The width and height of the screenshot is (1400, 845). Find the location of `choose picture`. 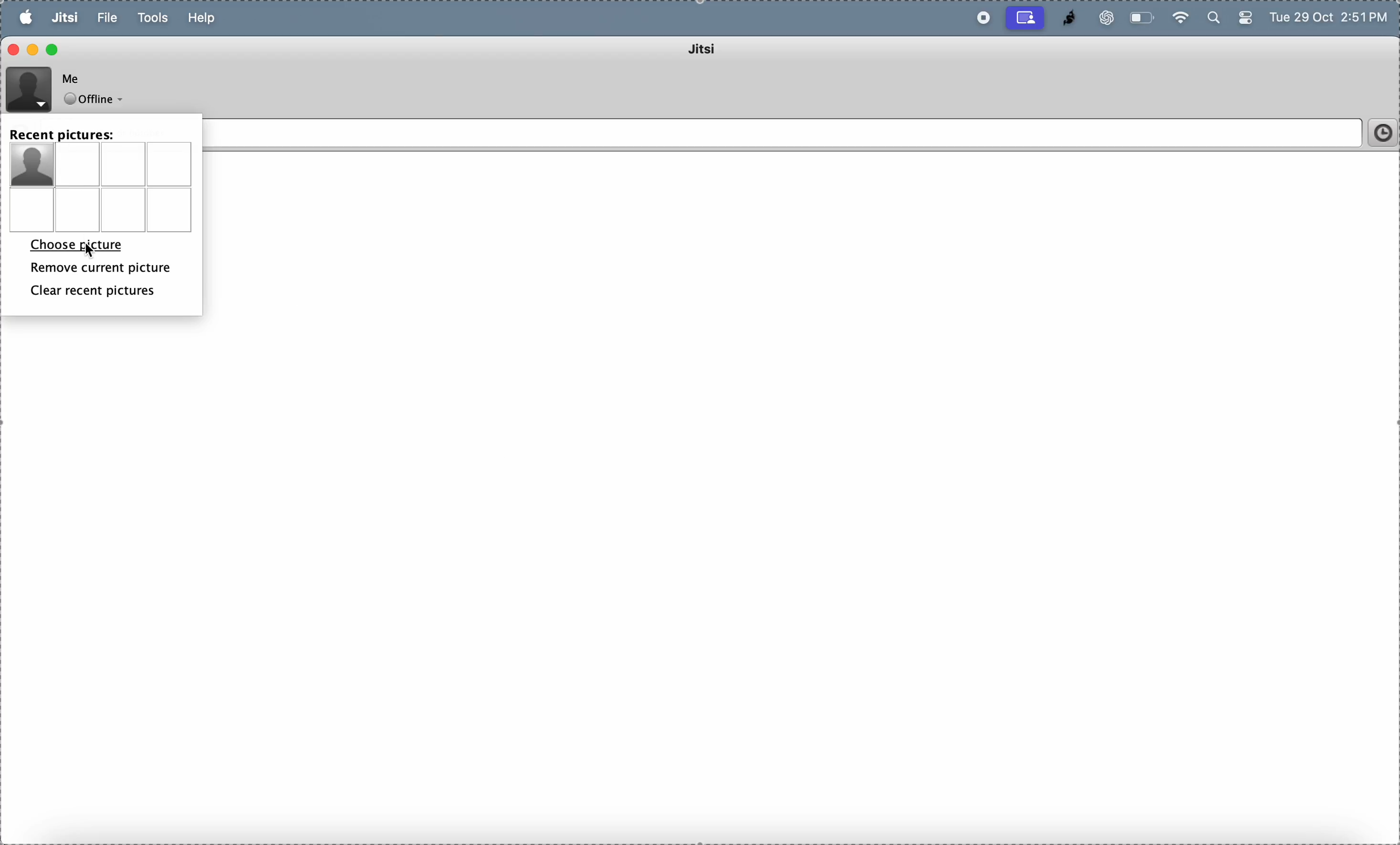

choose picture is located at coordinates (95, 244).